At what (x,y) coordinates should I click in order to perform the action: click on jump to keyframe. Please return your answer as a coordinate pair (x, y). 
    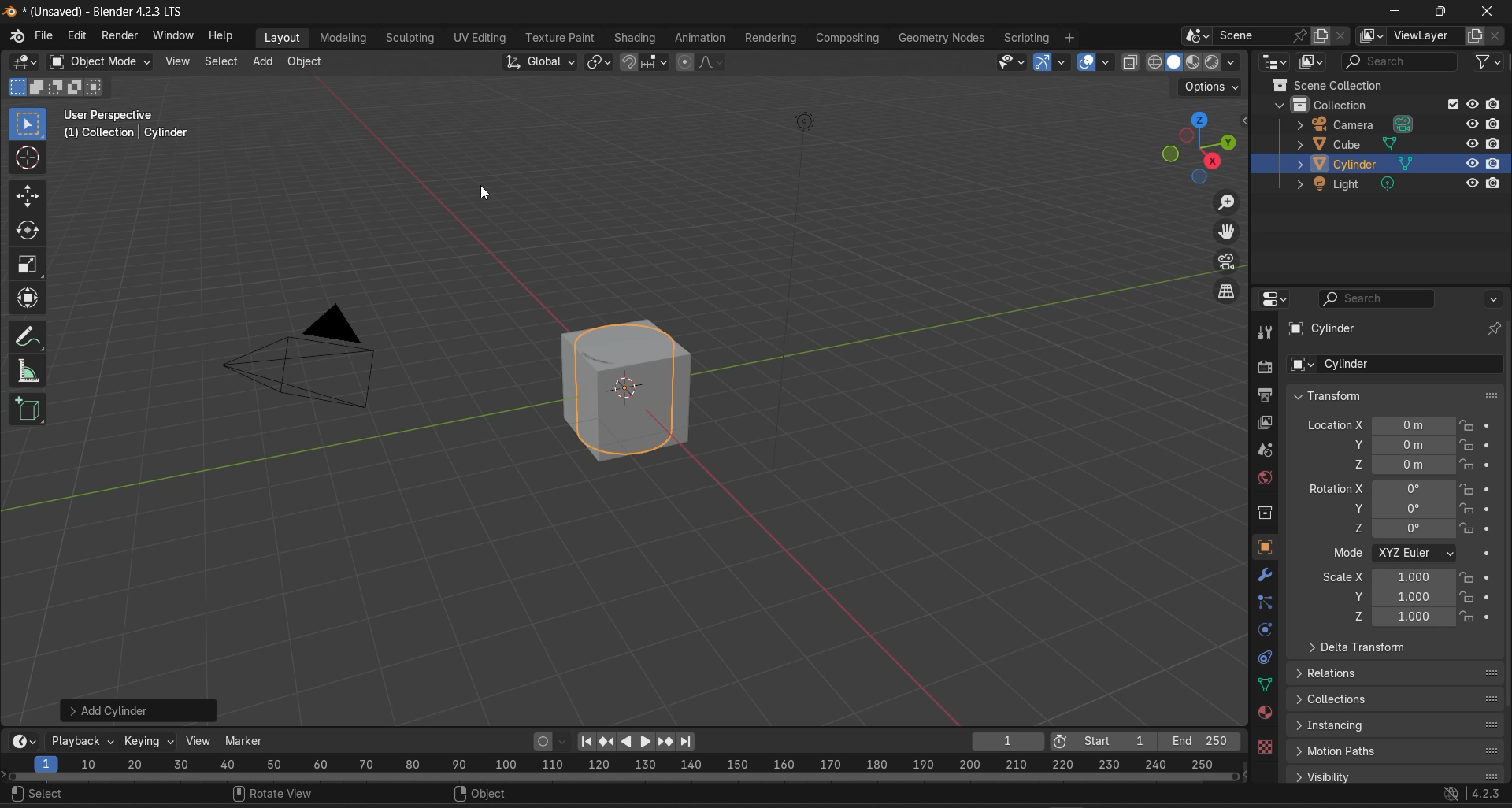
    Looking at the image, I should click on (606, 741).